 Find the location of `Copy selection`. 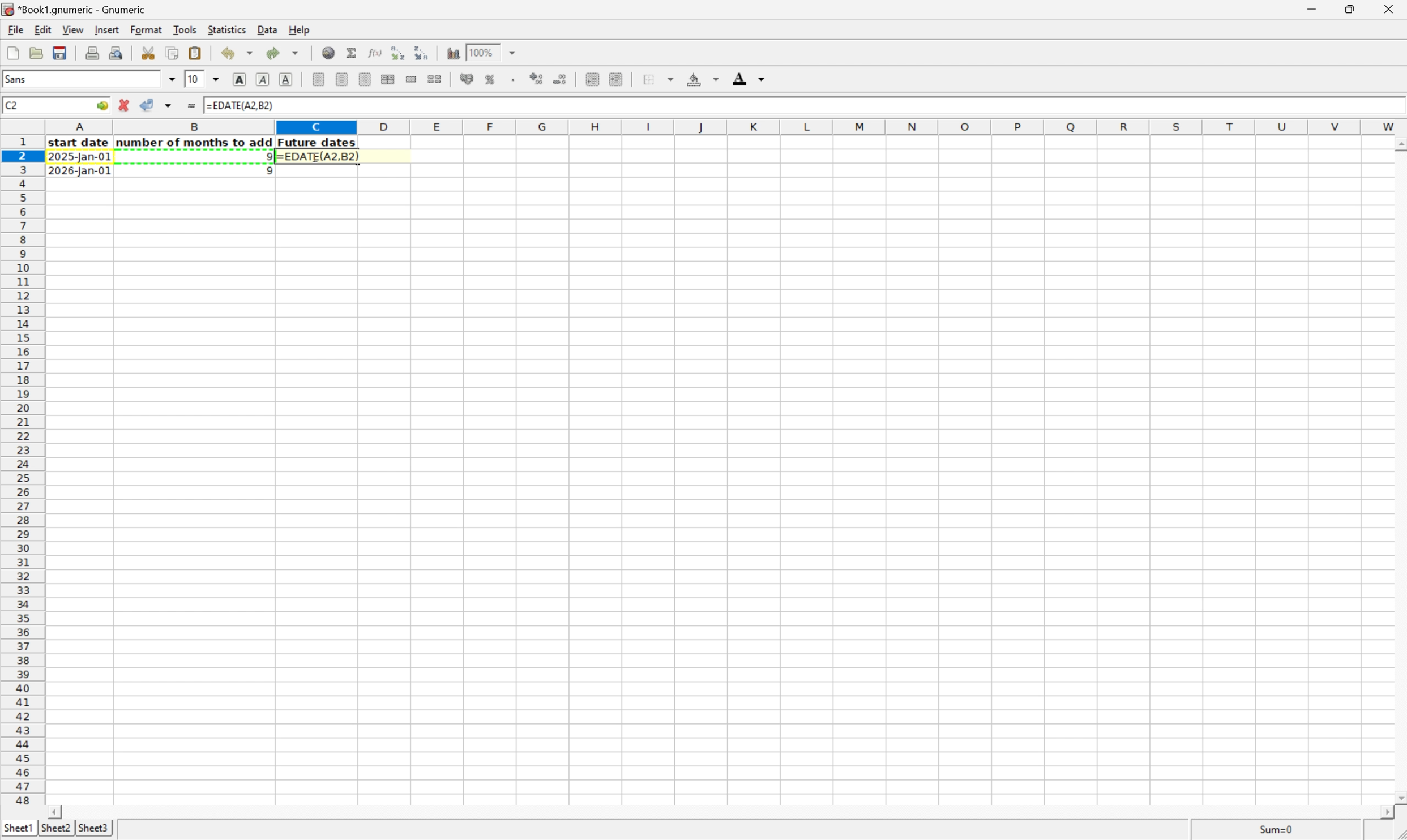

Copy selection is located at coordinates (173, 53).